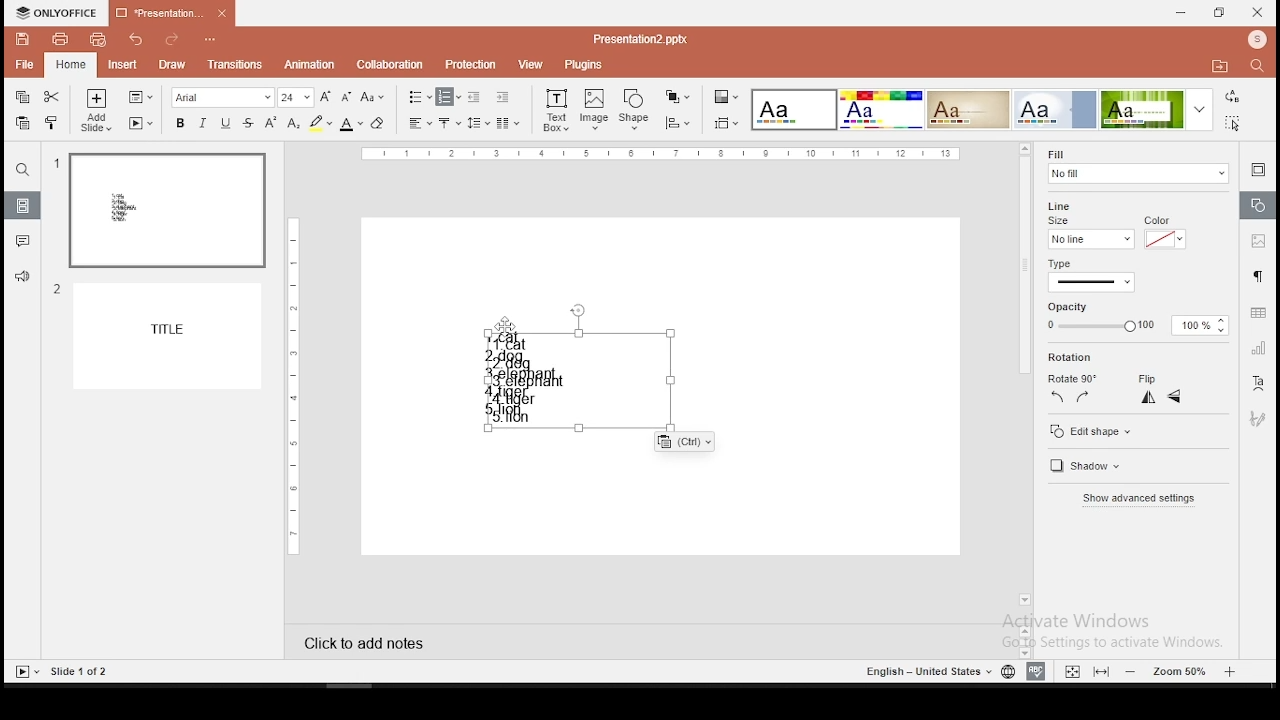 The width and height of the screenshot is (1280, 720). I want to click on subscript, so click(293, 123).